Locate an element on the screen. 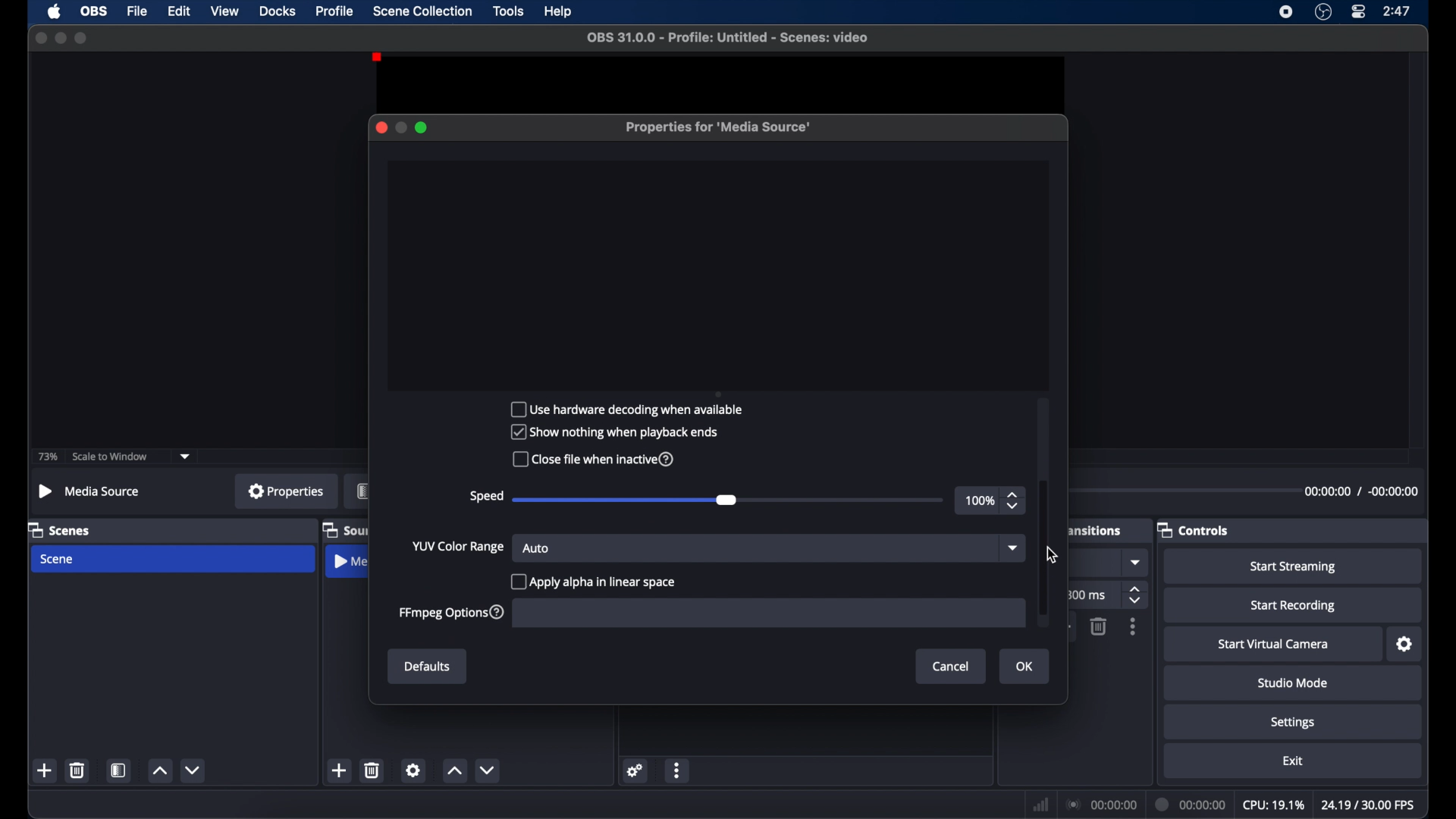 This screenshot has height=819, width=1456. scene is located at coordinates (58, 559).